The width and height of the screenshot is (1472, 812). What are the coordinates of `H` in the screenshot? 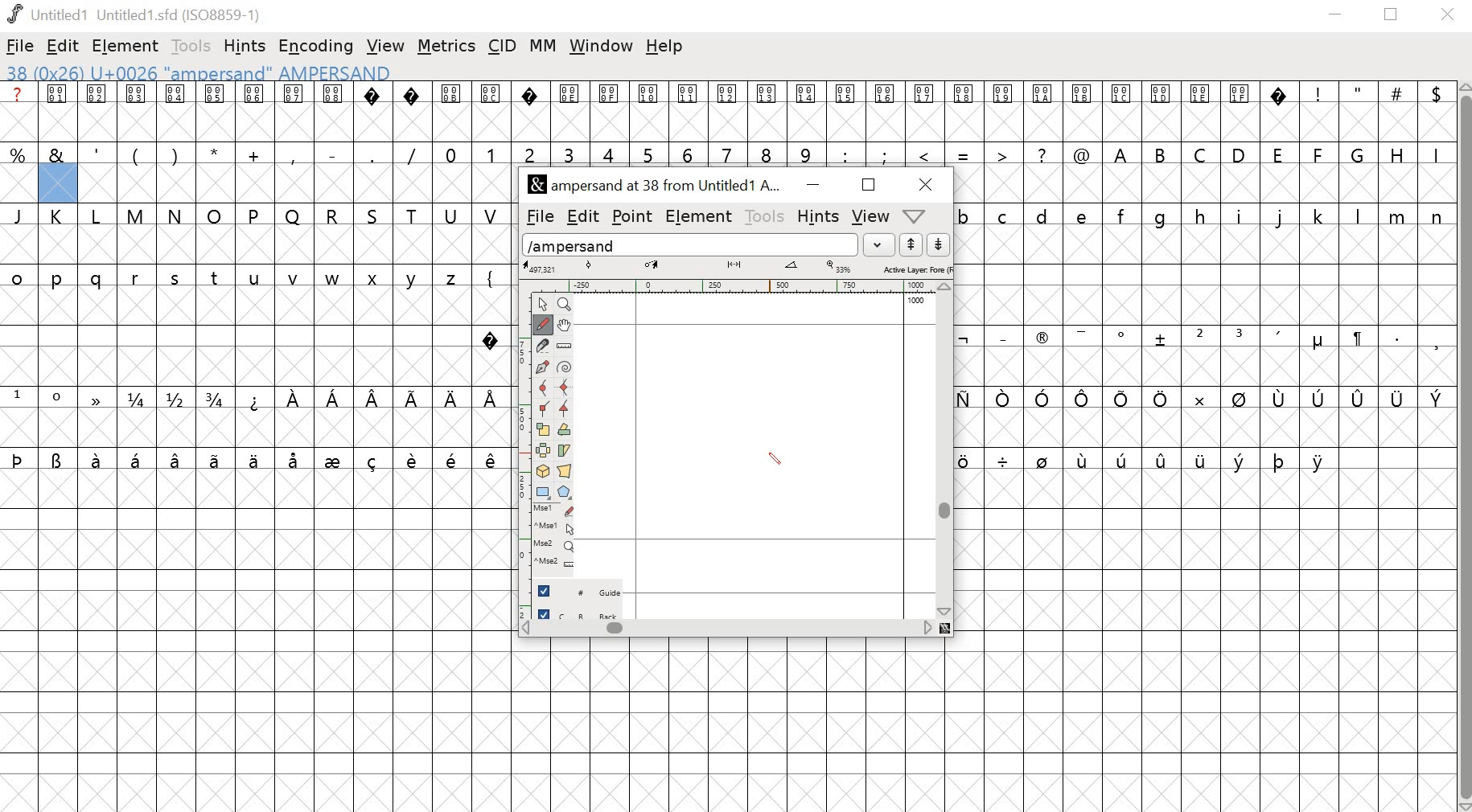 It's located at (1397, 153).